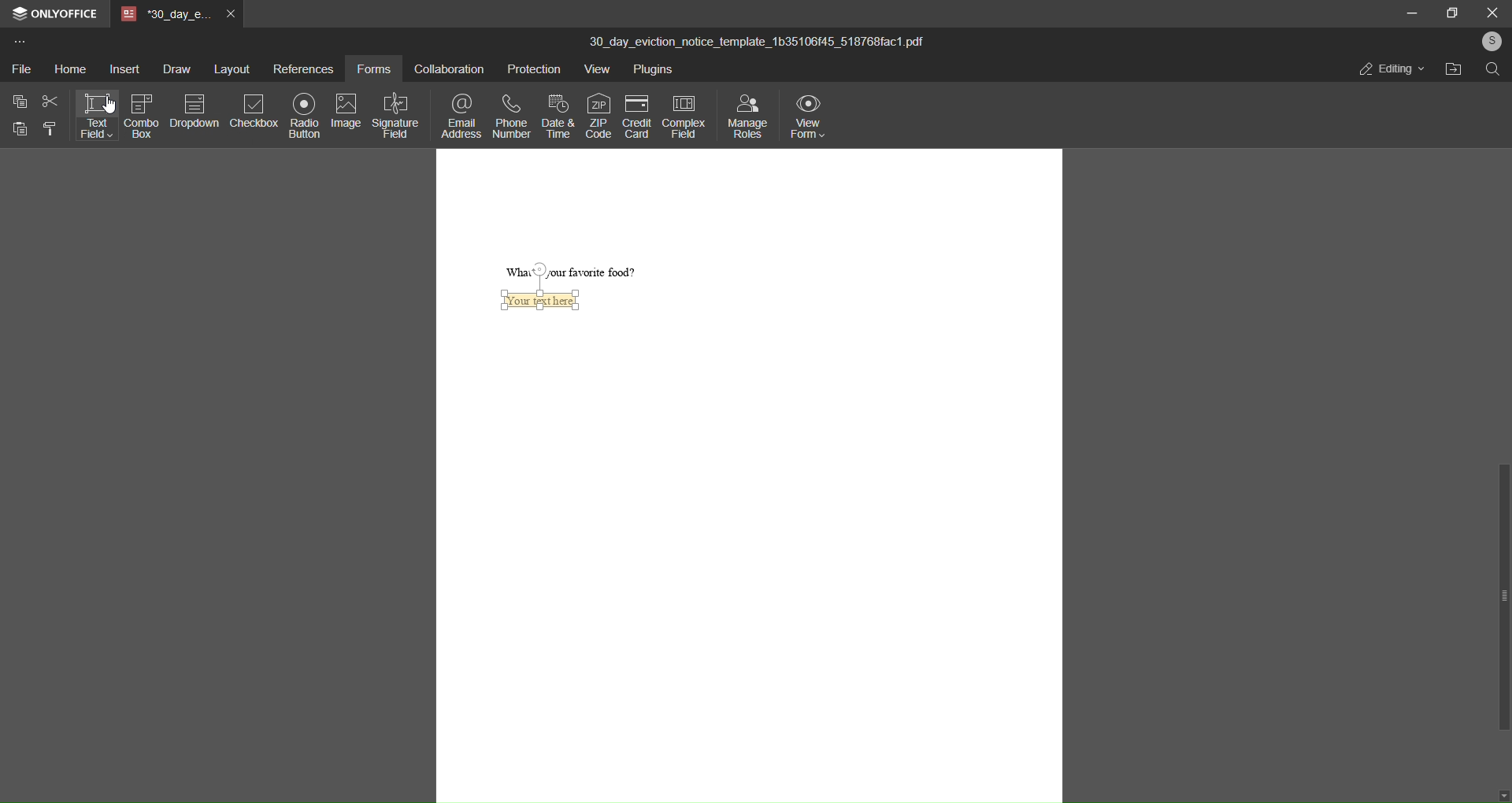 The width and height of the screenshot is (1512, 803). Describe the element at coordinates (301, 114) in the screenshot. I see `radio button` at that location.